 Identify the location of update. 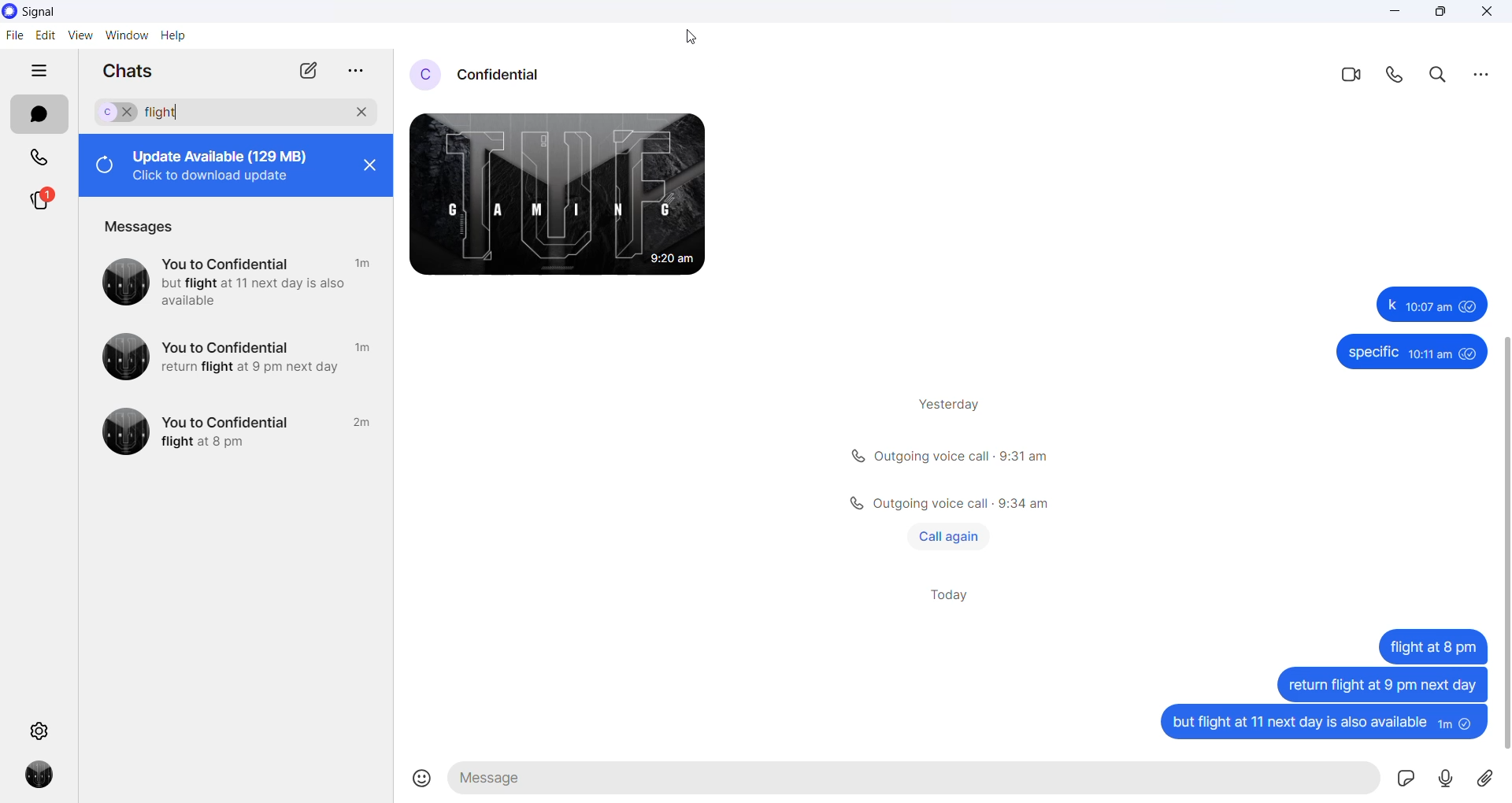
(228, 164).